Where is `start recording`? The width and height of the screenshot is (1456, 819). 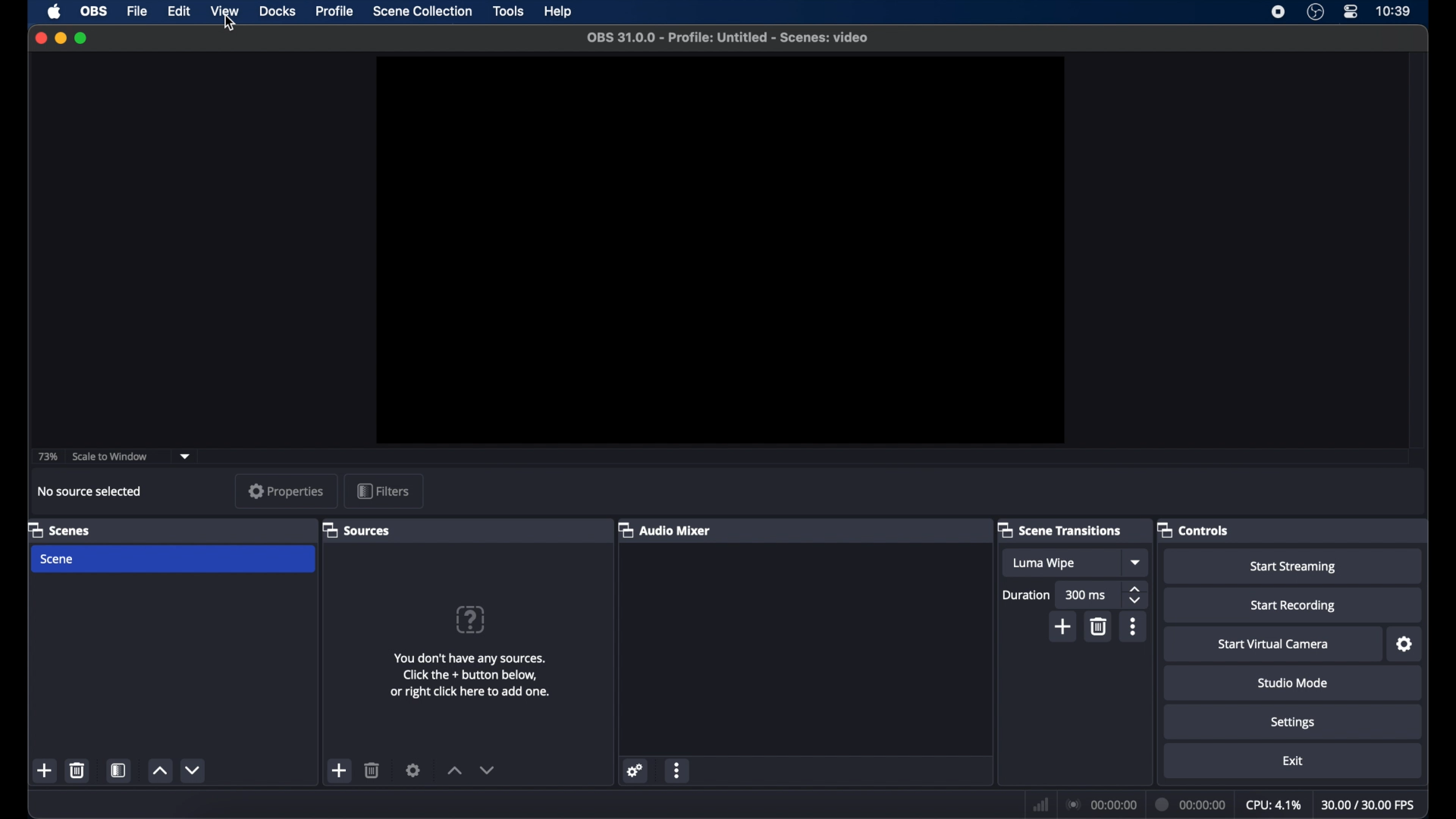
start recording is located at coordinates (1293, 604).